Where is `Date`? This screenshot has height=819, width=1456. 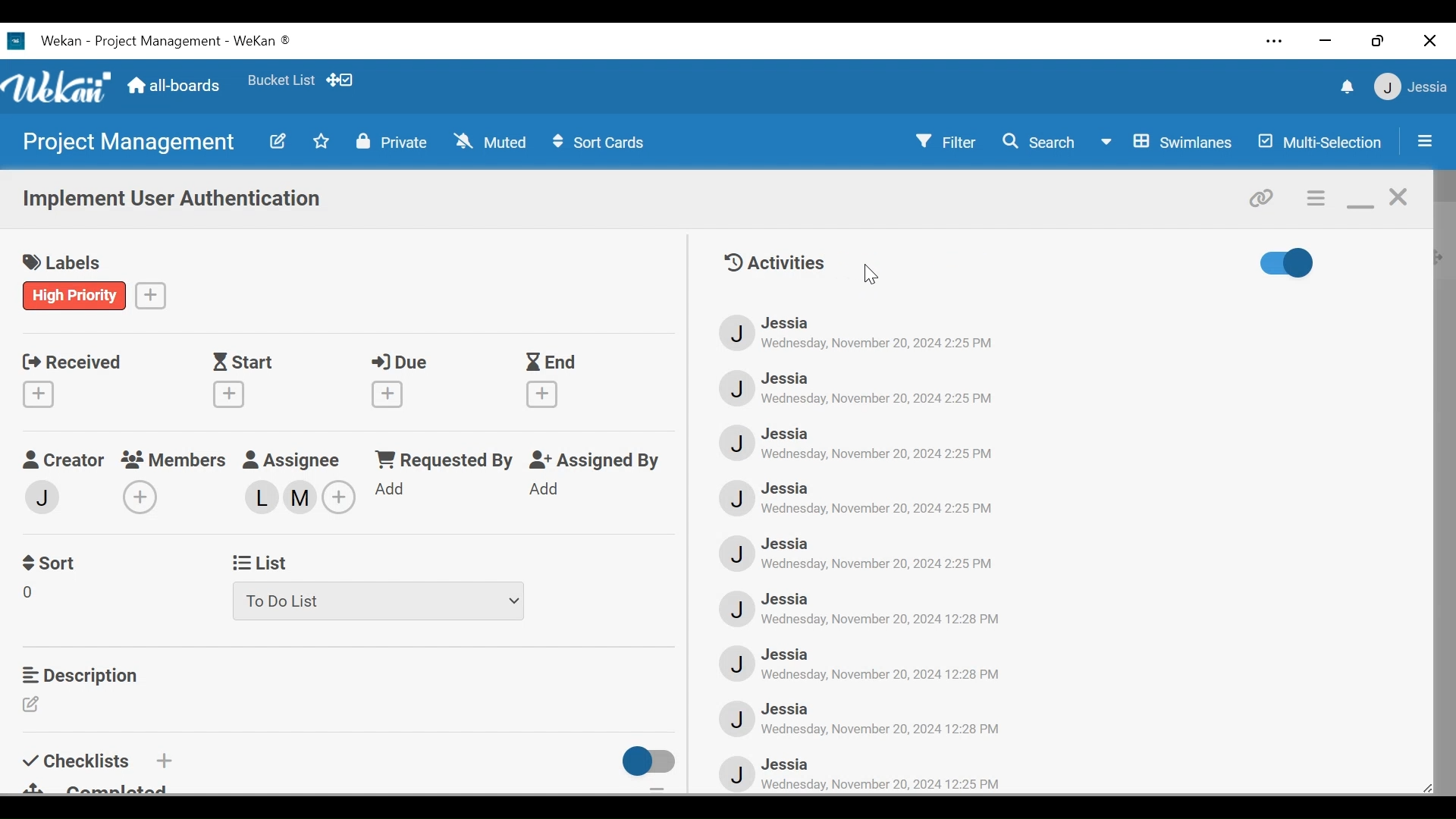
Date is located at coordinates (882, 399).